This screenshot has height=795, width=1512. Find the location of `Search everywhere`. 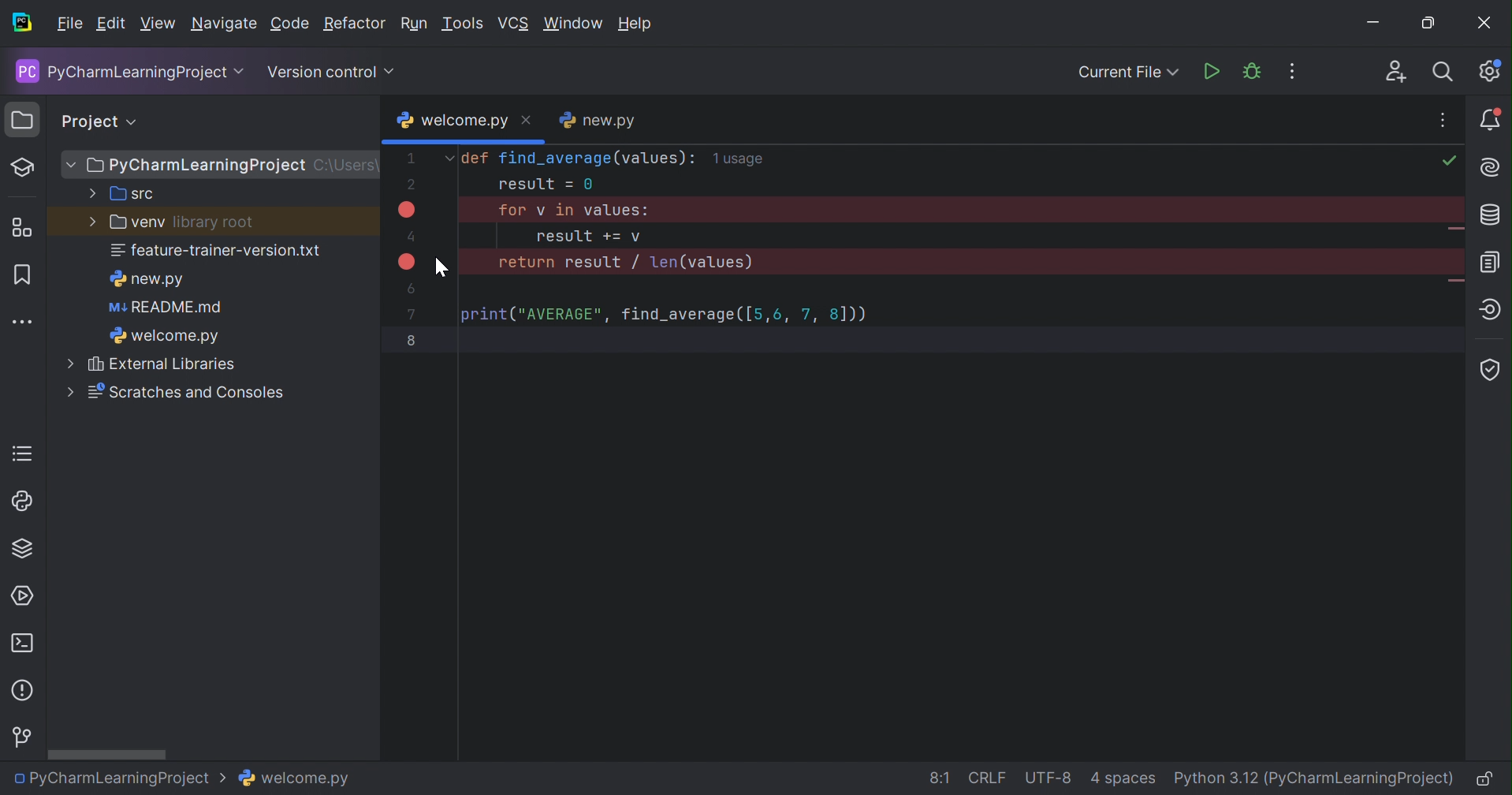

Search everywhere is located at coordinates (1446, 72).